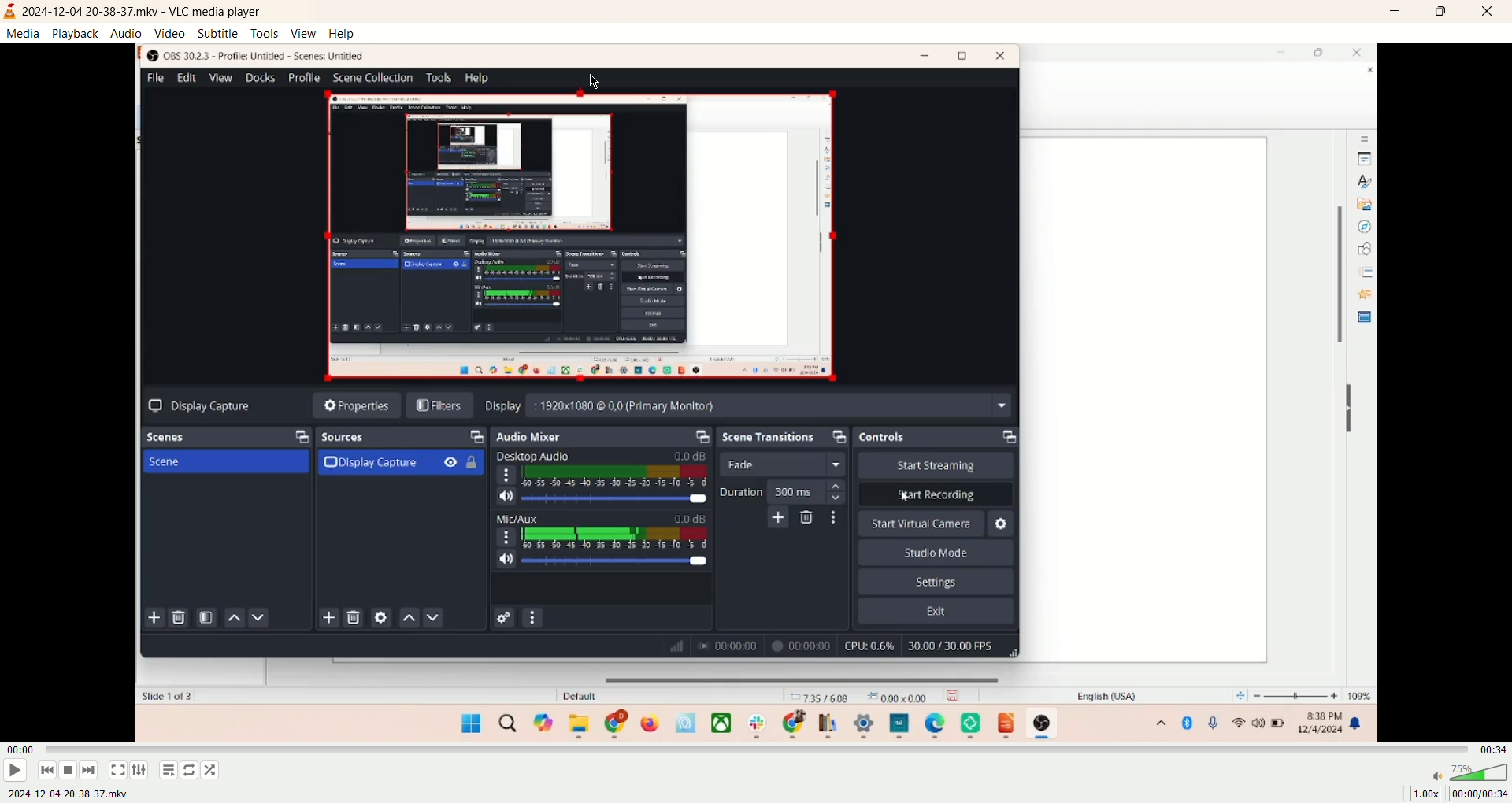  What do you see at coordinates (76, 33) in the screenshot?
I see `playback` at bounding box center [76, 33].